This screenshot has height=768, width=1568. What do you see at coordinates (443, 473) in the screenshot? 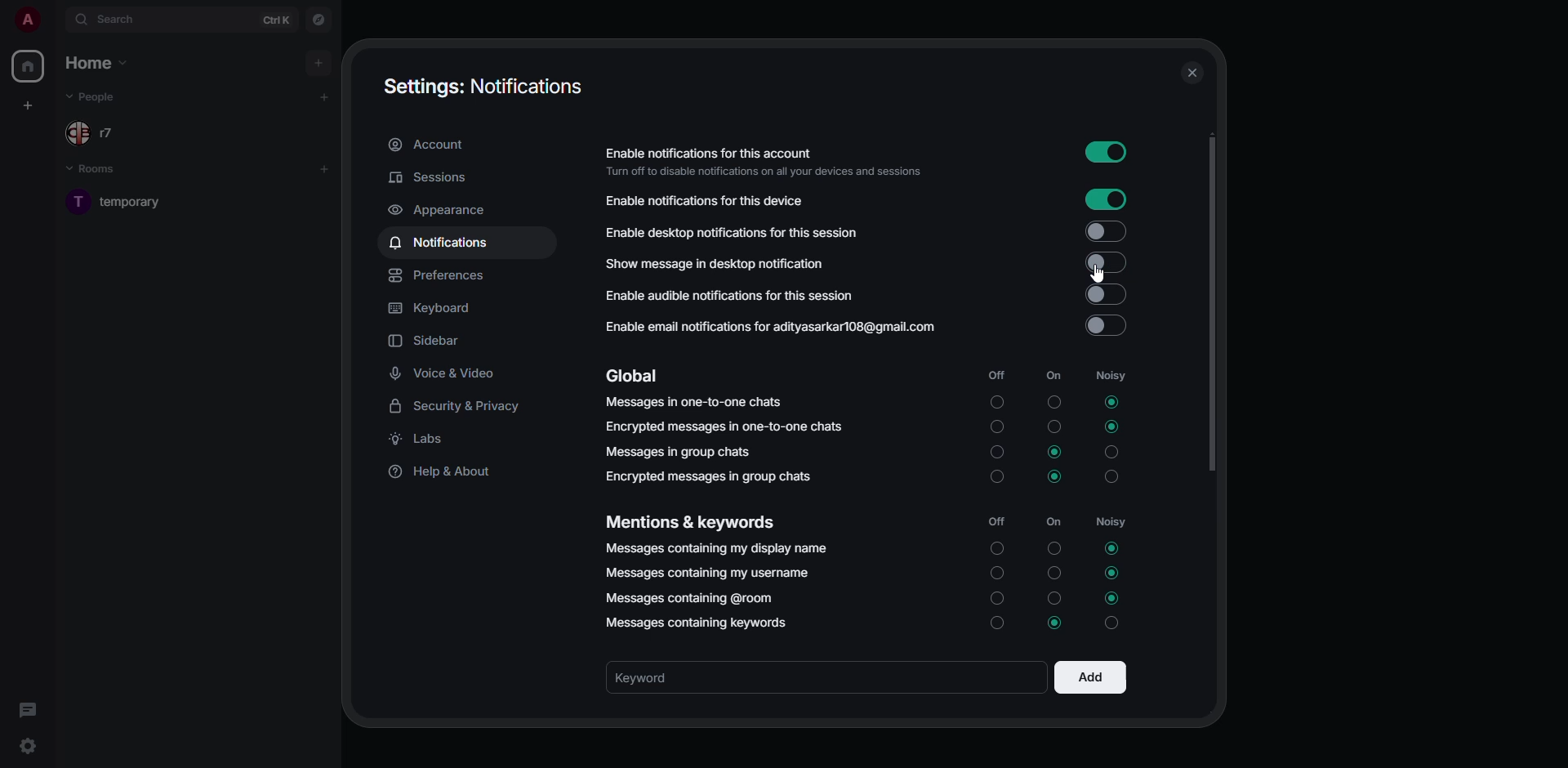
I see `help & about` at bounding box center [443, 473].